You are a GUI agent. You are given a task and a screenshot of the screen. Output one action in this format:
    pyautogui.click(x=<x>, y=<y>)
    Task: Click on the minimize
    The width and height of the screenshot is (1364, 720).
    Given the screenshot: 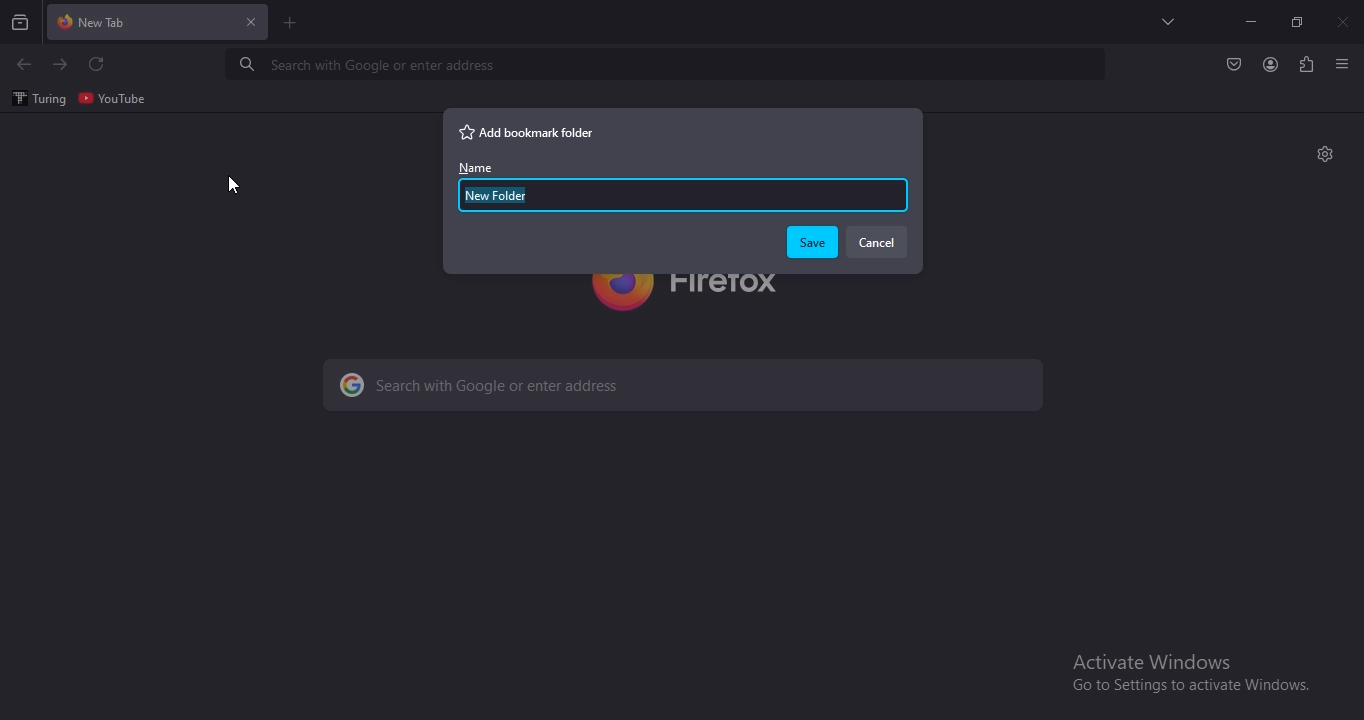 What is the action you would take?
    pyautogui.click(x=1251, y=22)
    